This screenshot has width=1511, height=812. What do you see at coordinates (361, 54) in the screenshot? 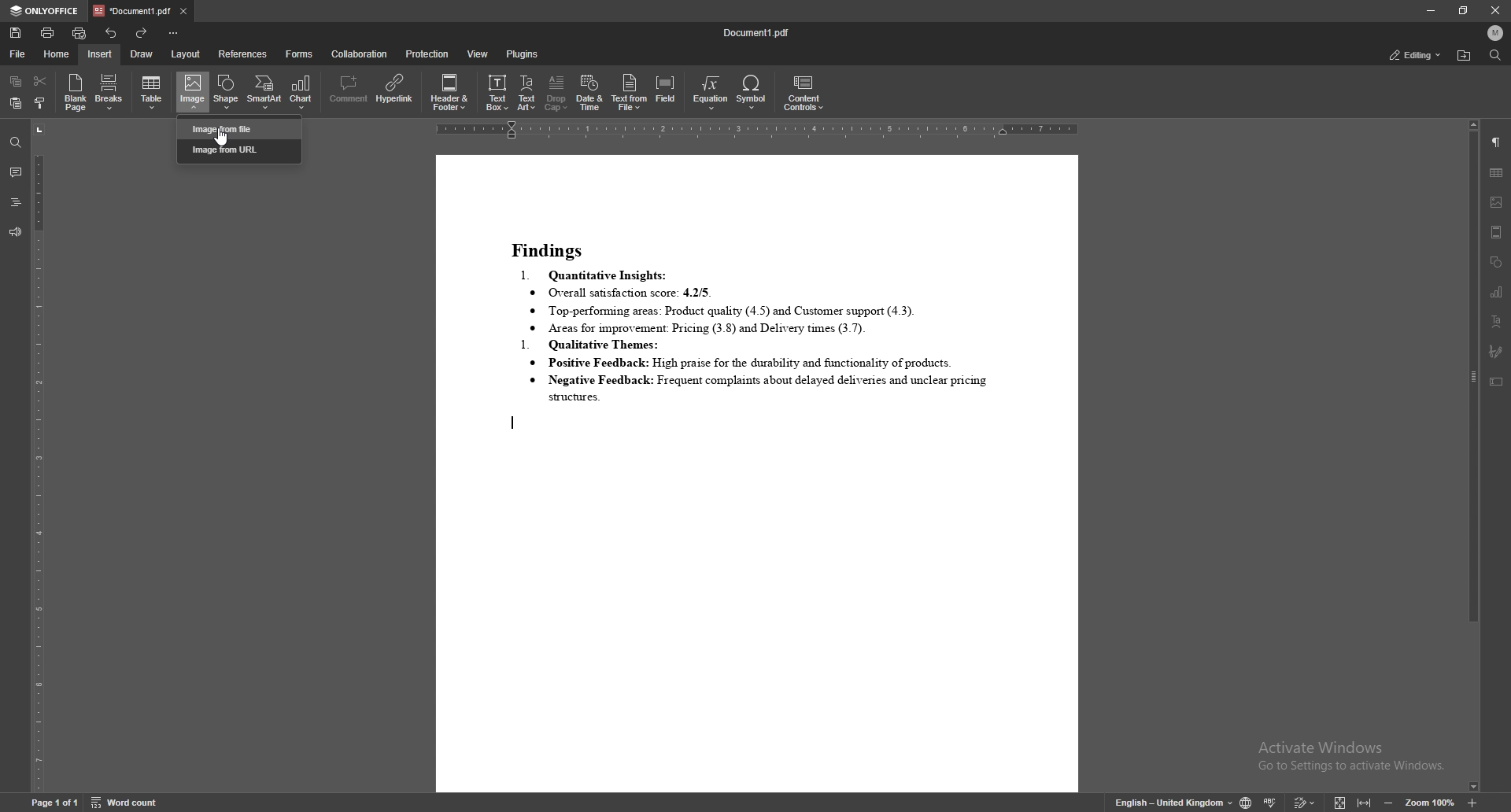
I see `collaboration` at bounding box center [361, 54].